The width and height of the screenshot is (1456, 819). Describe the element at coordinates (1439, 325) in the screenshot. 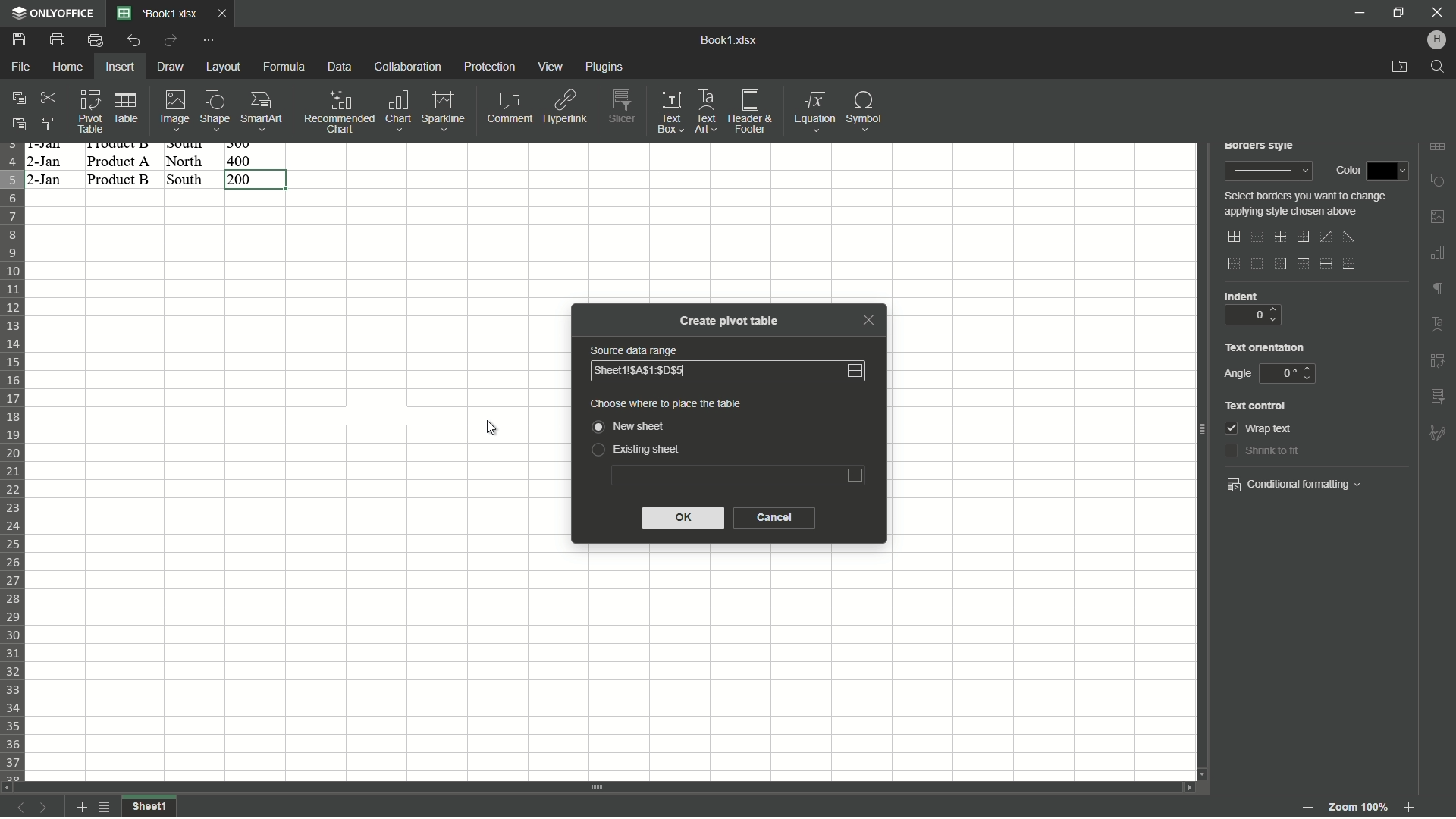

I see `text art` at that location.